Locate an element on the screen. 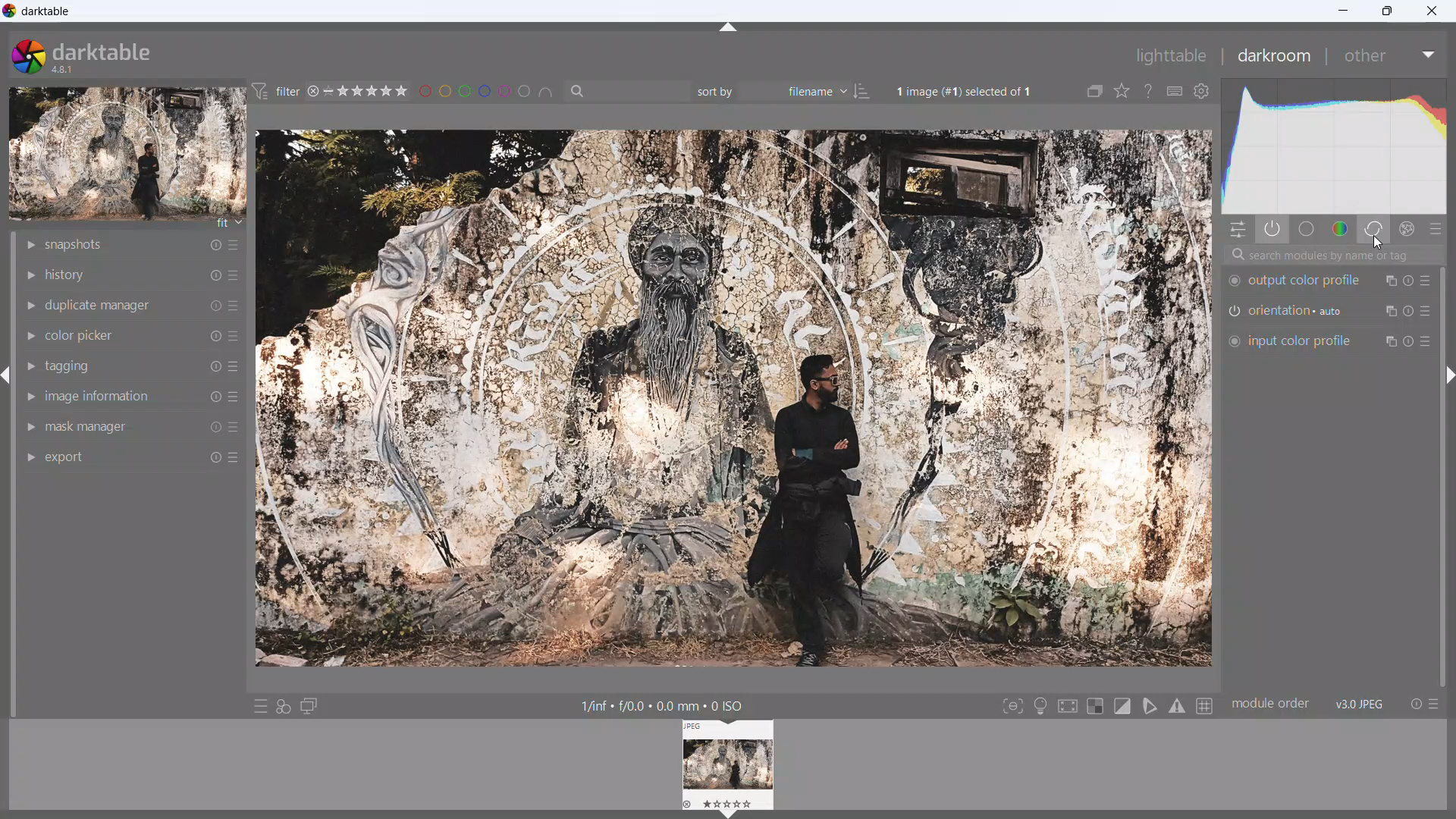 Image resolution: width=1456 pixels, height=819 pixels. reset is located at coordinates (215, 244).